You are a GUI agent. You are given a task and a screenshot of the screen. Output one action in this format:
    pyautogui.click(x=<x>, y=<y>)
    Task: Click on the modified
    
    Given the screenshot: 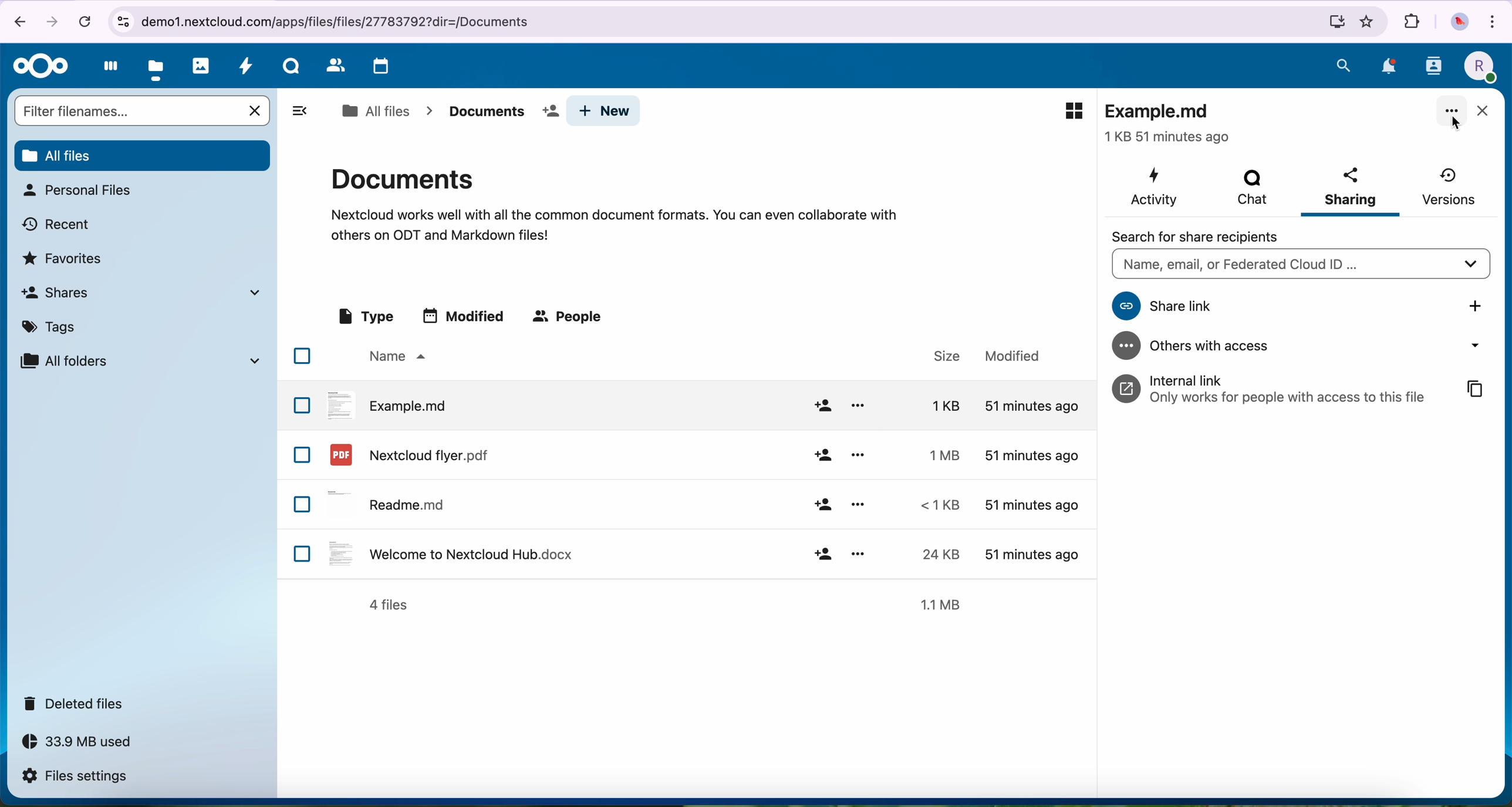 What is the action you would take?
    pyautogui.click(x=1031, y=455)
    